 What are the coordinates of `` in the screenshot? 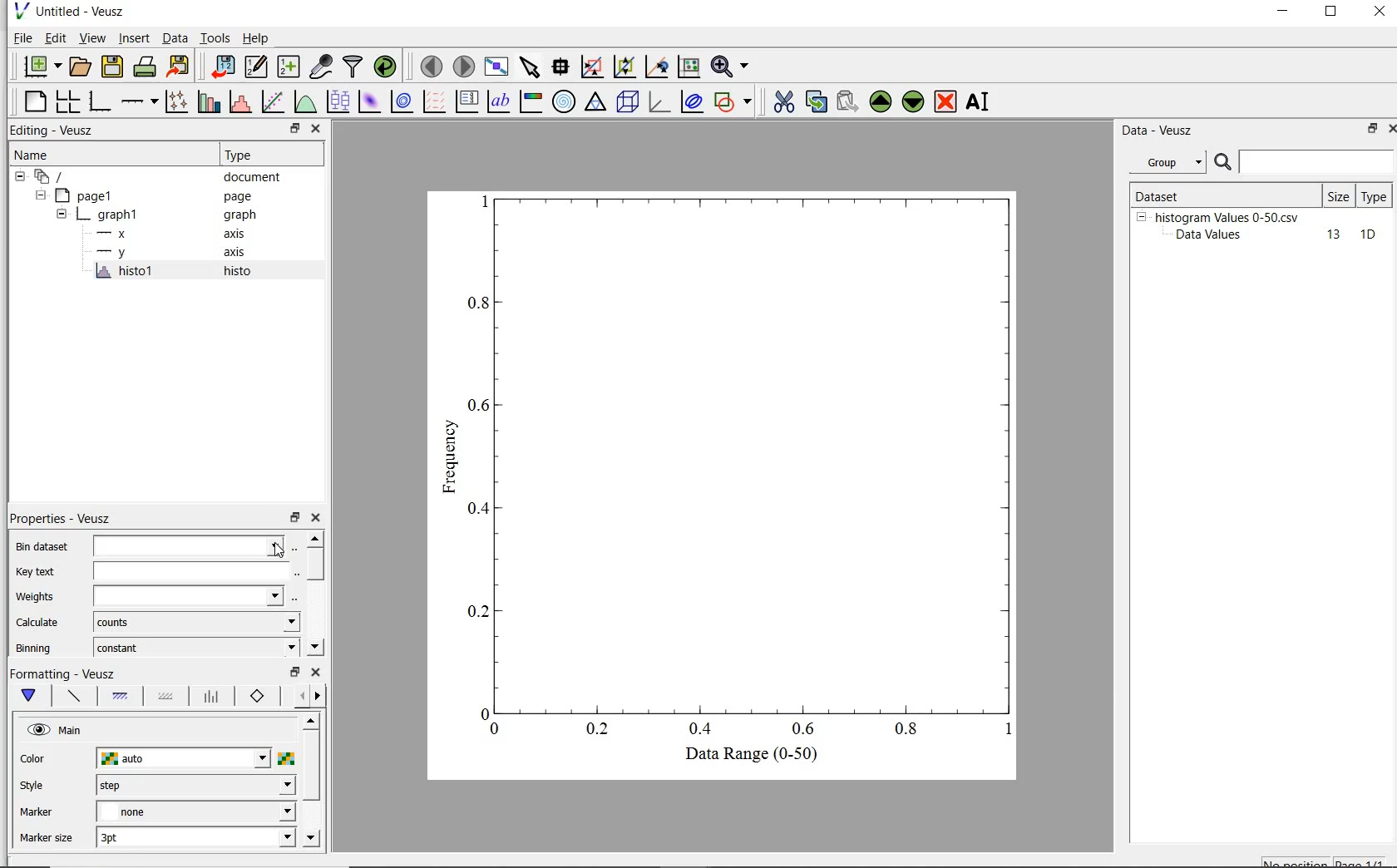 It's located at (241, 215).